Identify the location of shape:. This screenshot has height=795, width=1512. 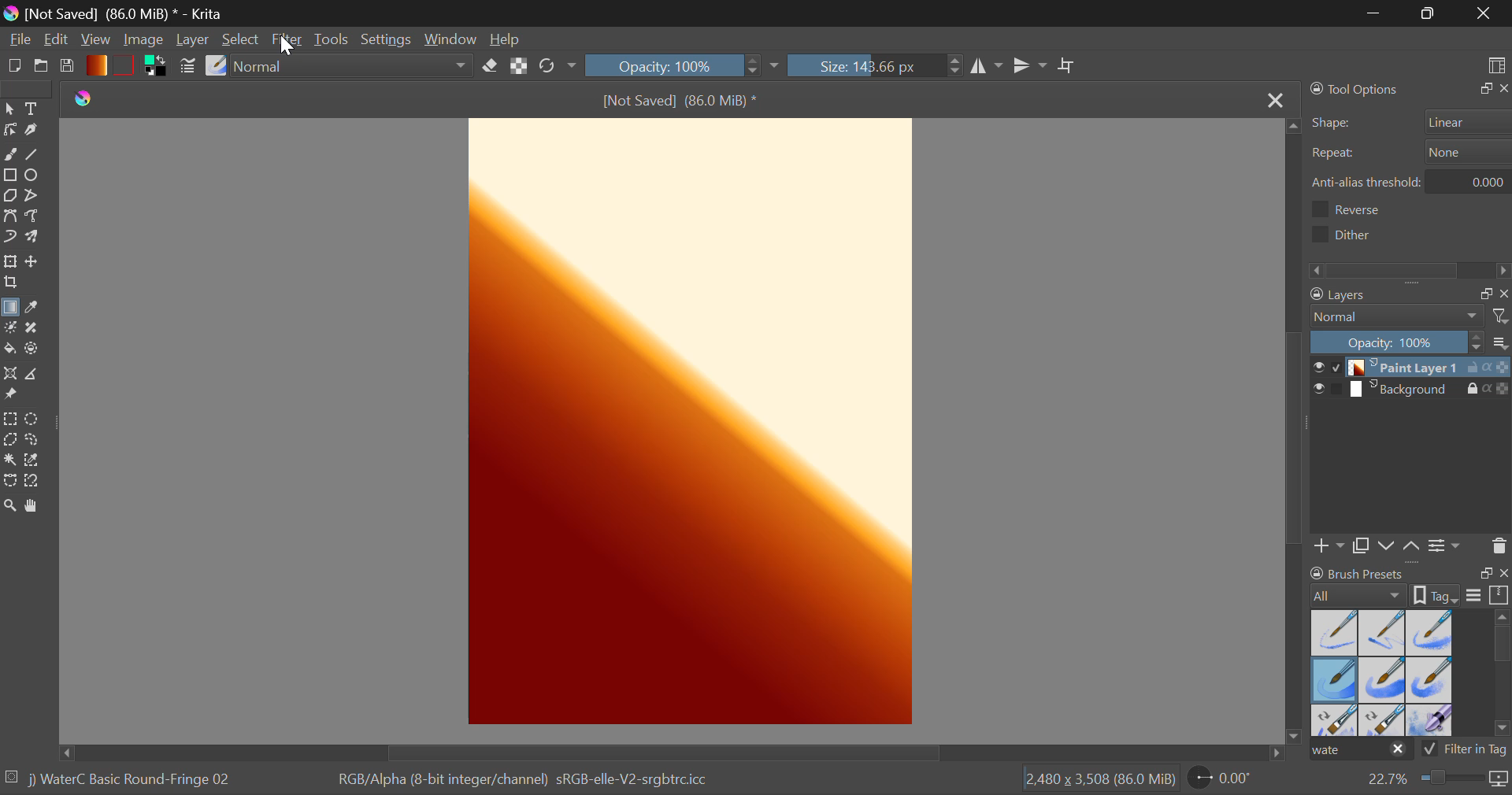
(1333, 124).